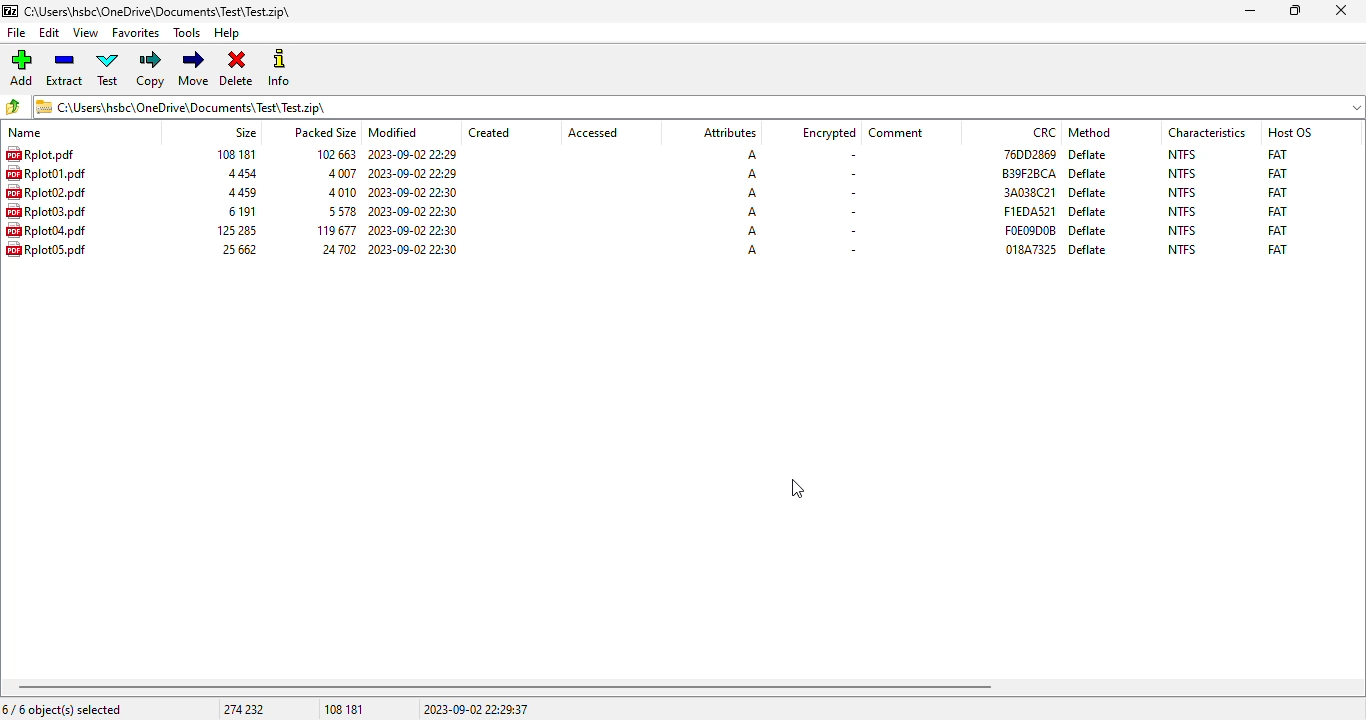 This screenshot has height=720, width=1366. I want to click on modified date & time, so click(413, 192).